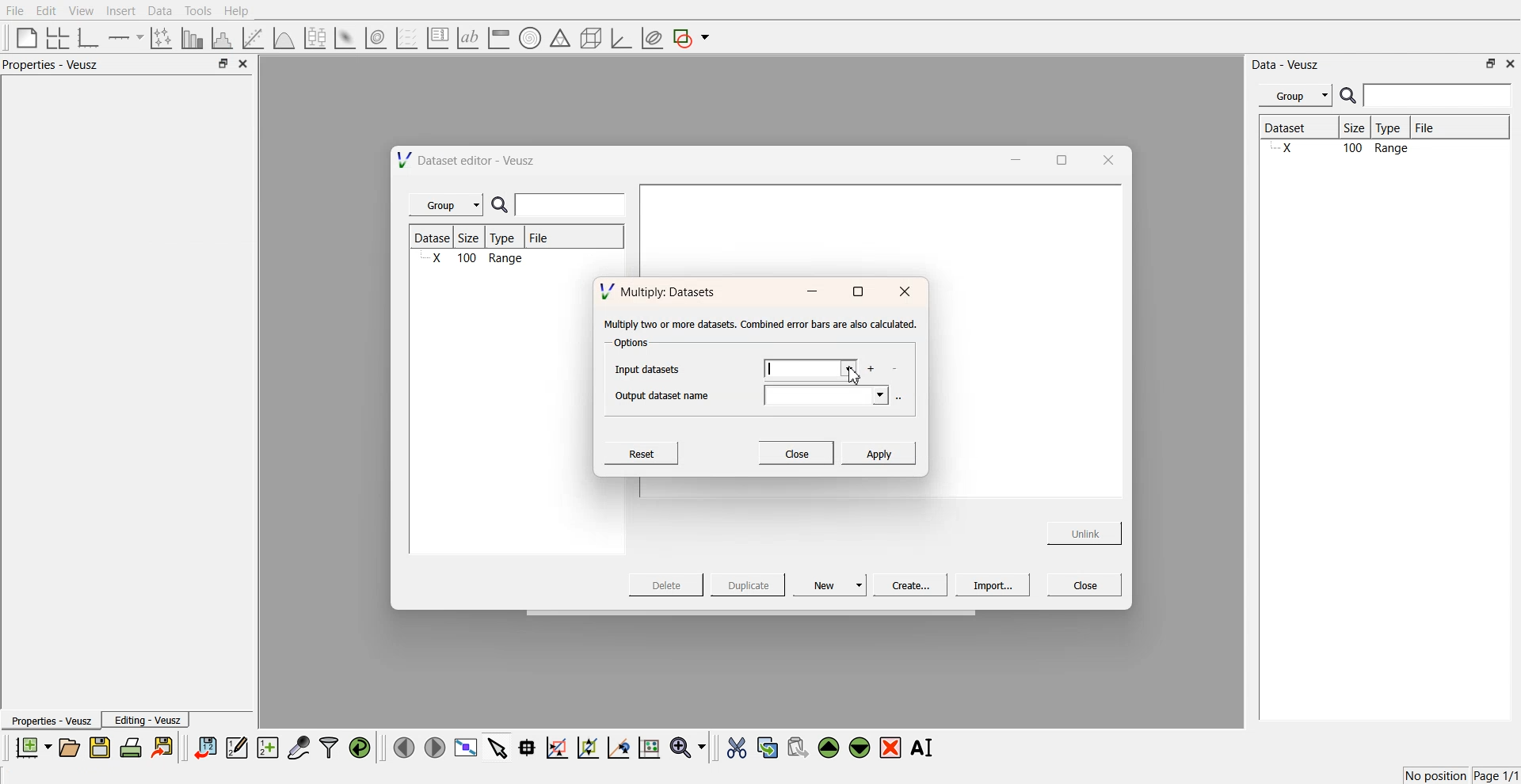 The width and height of the screenshot is (1521, 784). I want to click on search icon, so click(1350, 95).